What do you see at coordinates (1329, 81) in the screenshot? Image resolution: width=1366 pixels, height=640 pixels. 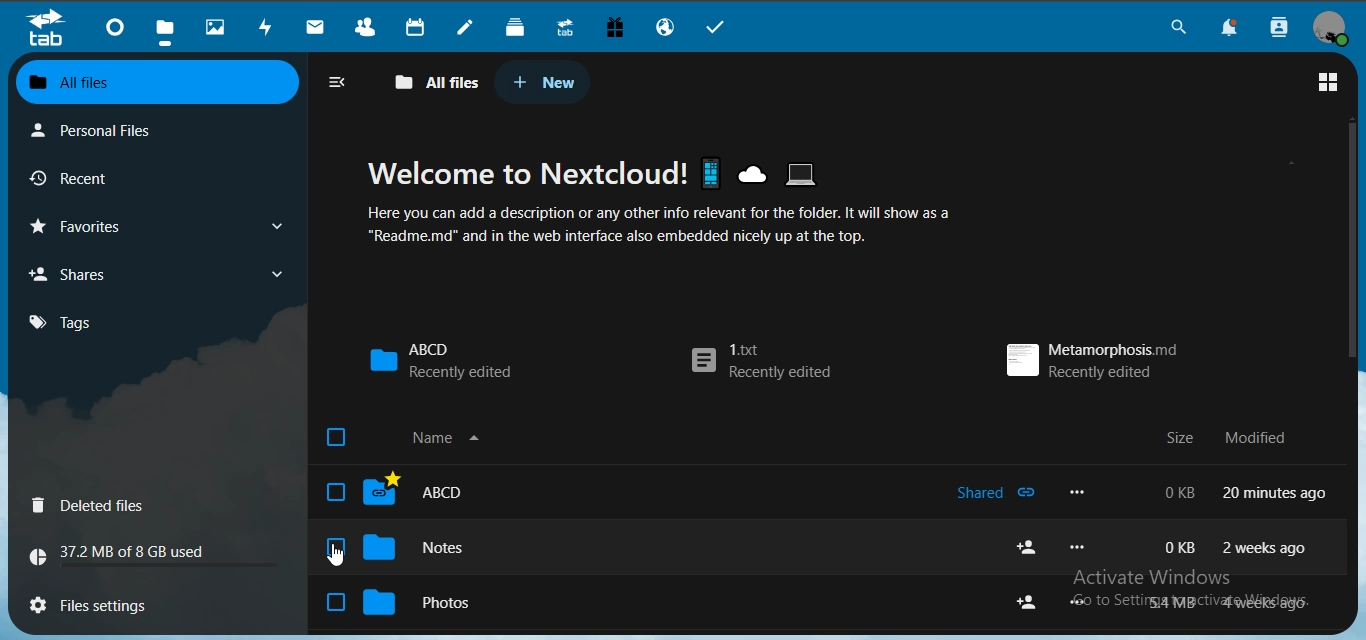 I see `grid view` at bounding box center [1329, 81].